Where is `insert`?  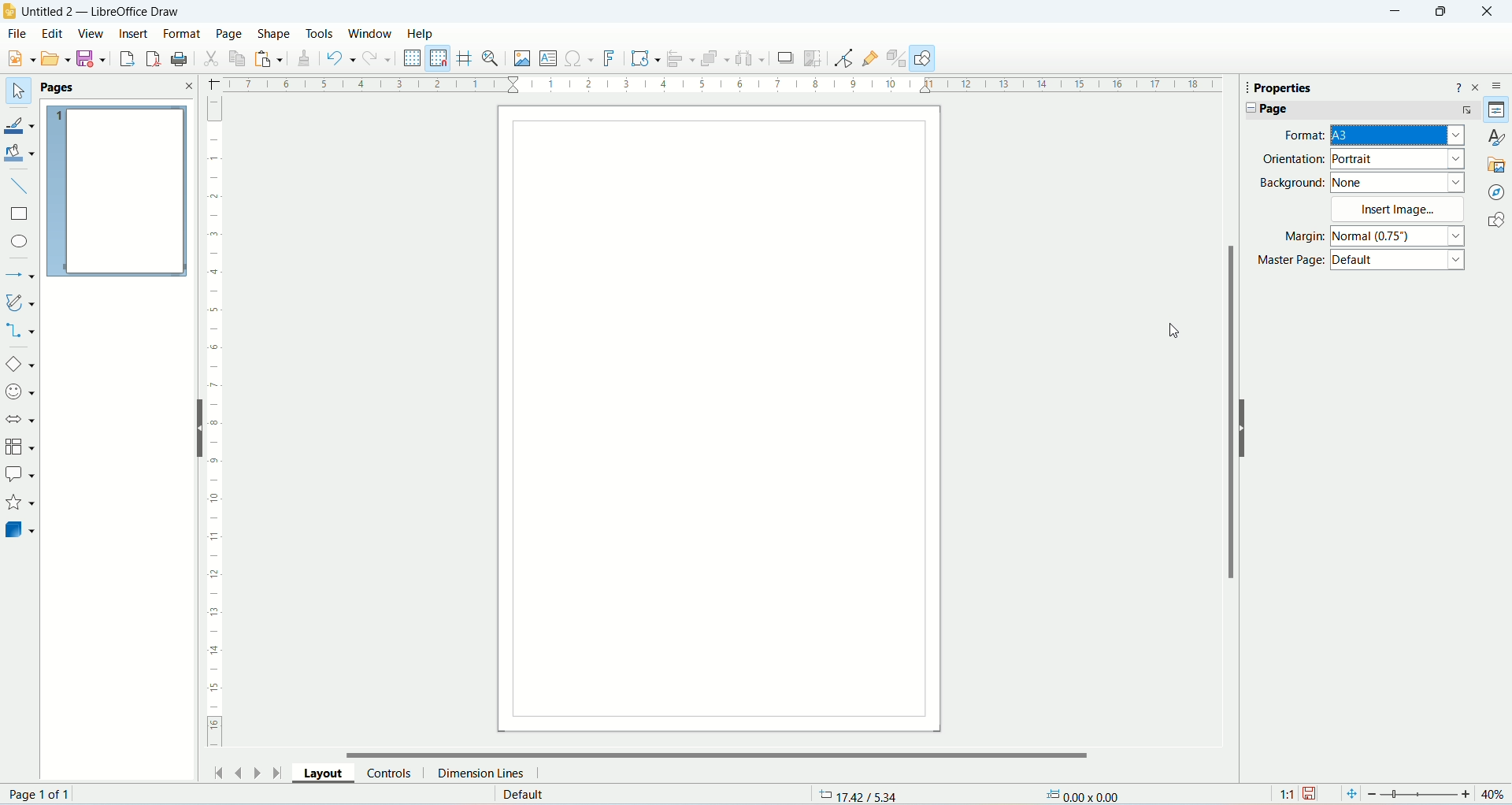 insert is located at coordinates (135, 32).